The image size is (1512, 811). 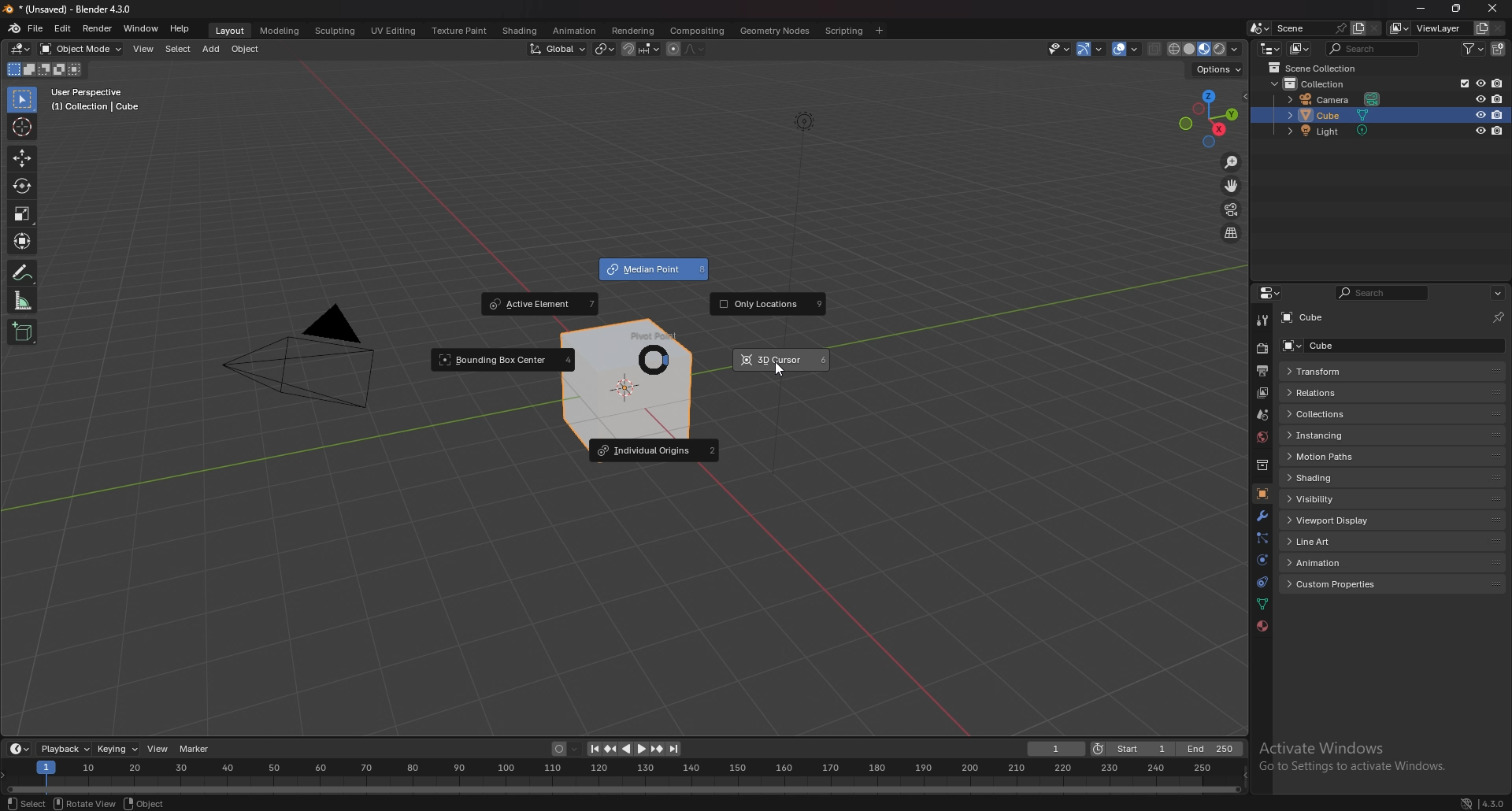 What do you see at coordinates (1369, 49) in the screenshot?
I see `search` at bounding box center [1369, 49].